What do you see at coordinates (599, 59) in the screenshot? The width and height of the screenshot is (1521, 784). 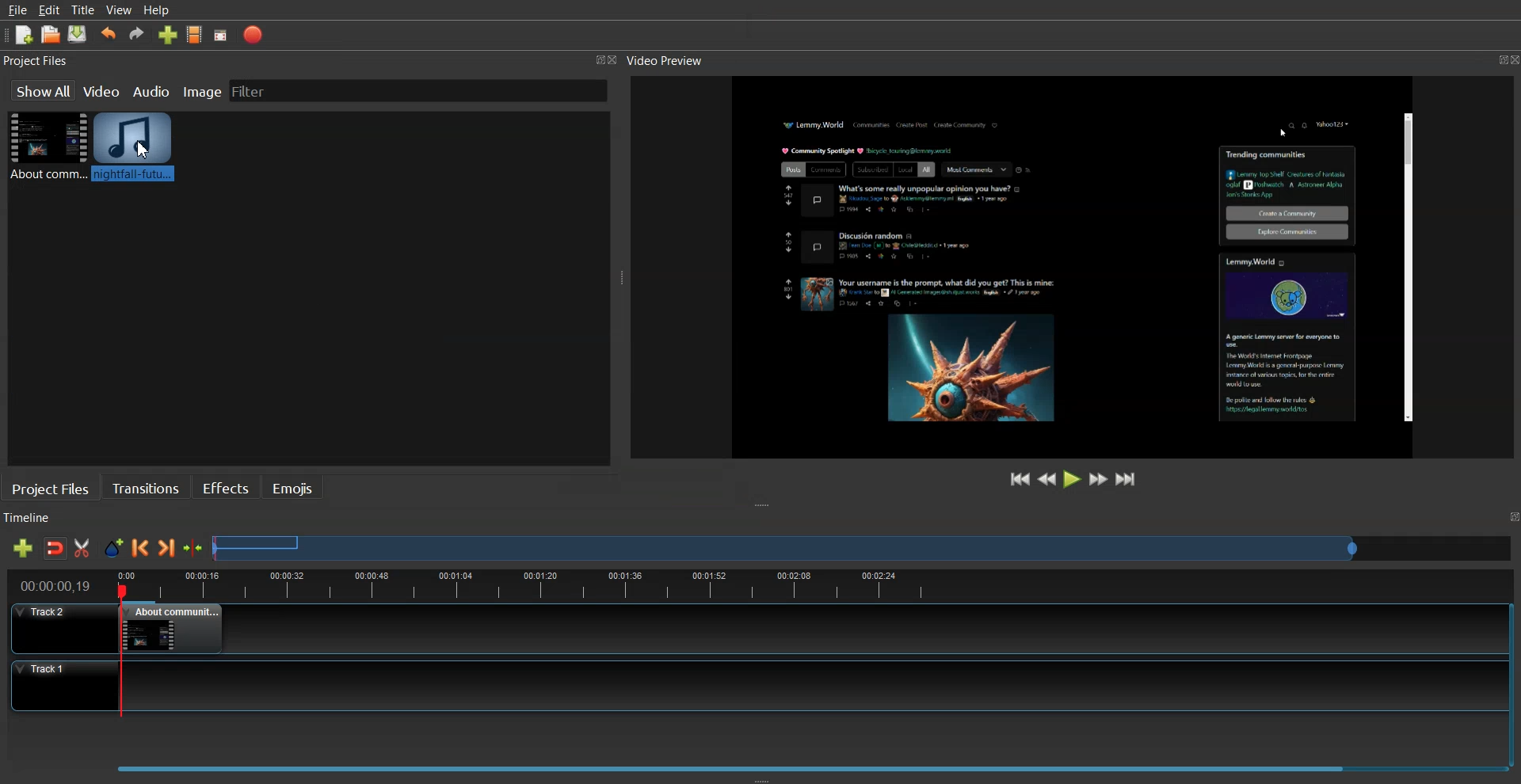 I see `Maximize` at bounding box center [599, 59].